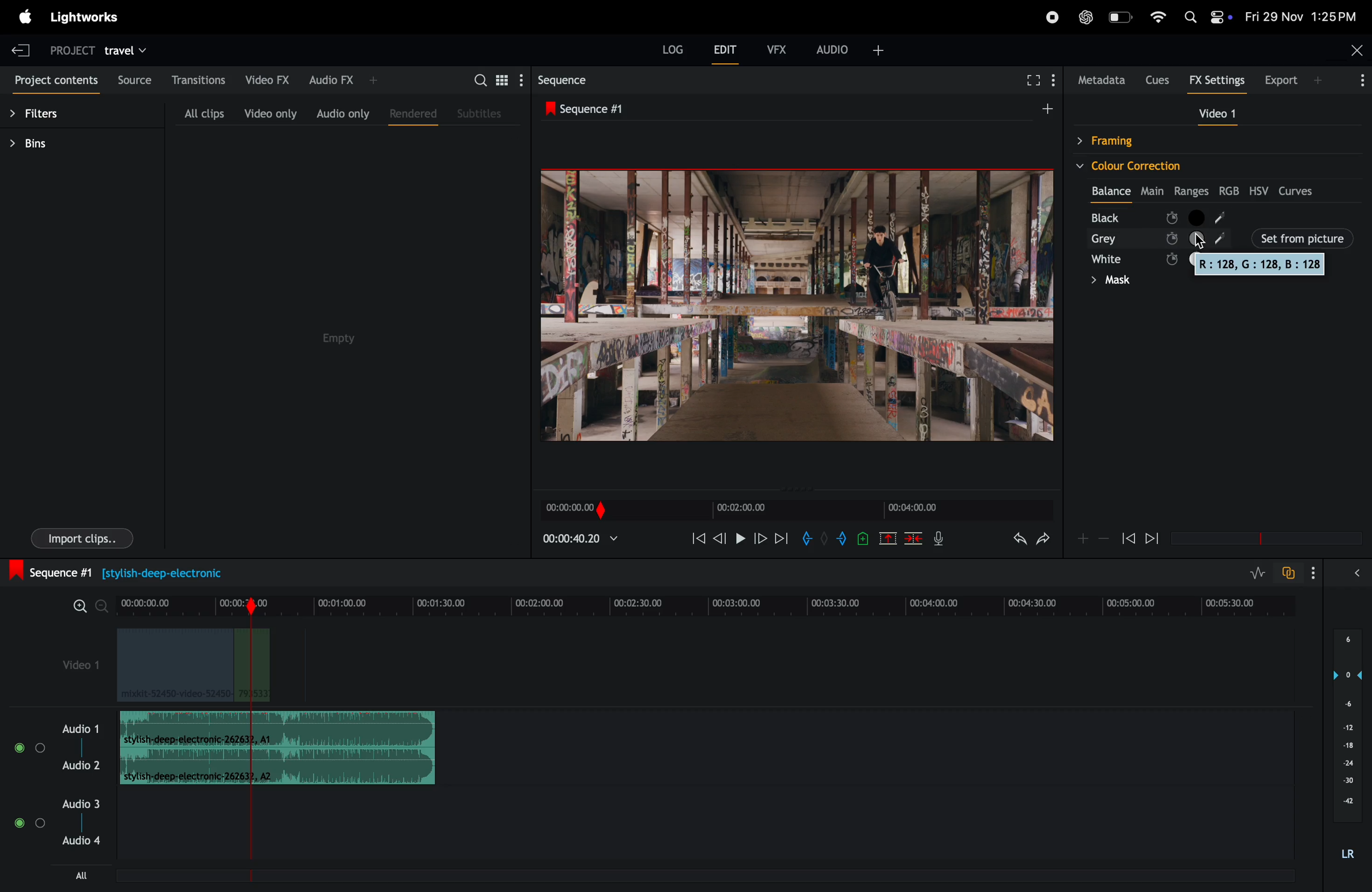 The width and height of the screenshot is (1372, 892). What do you see at coordinates (1111, 281) in the screenshot?
I see `mask` at bounding box center [1111, 281].